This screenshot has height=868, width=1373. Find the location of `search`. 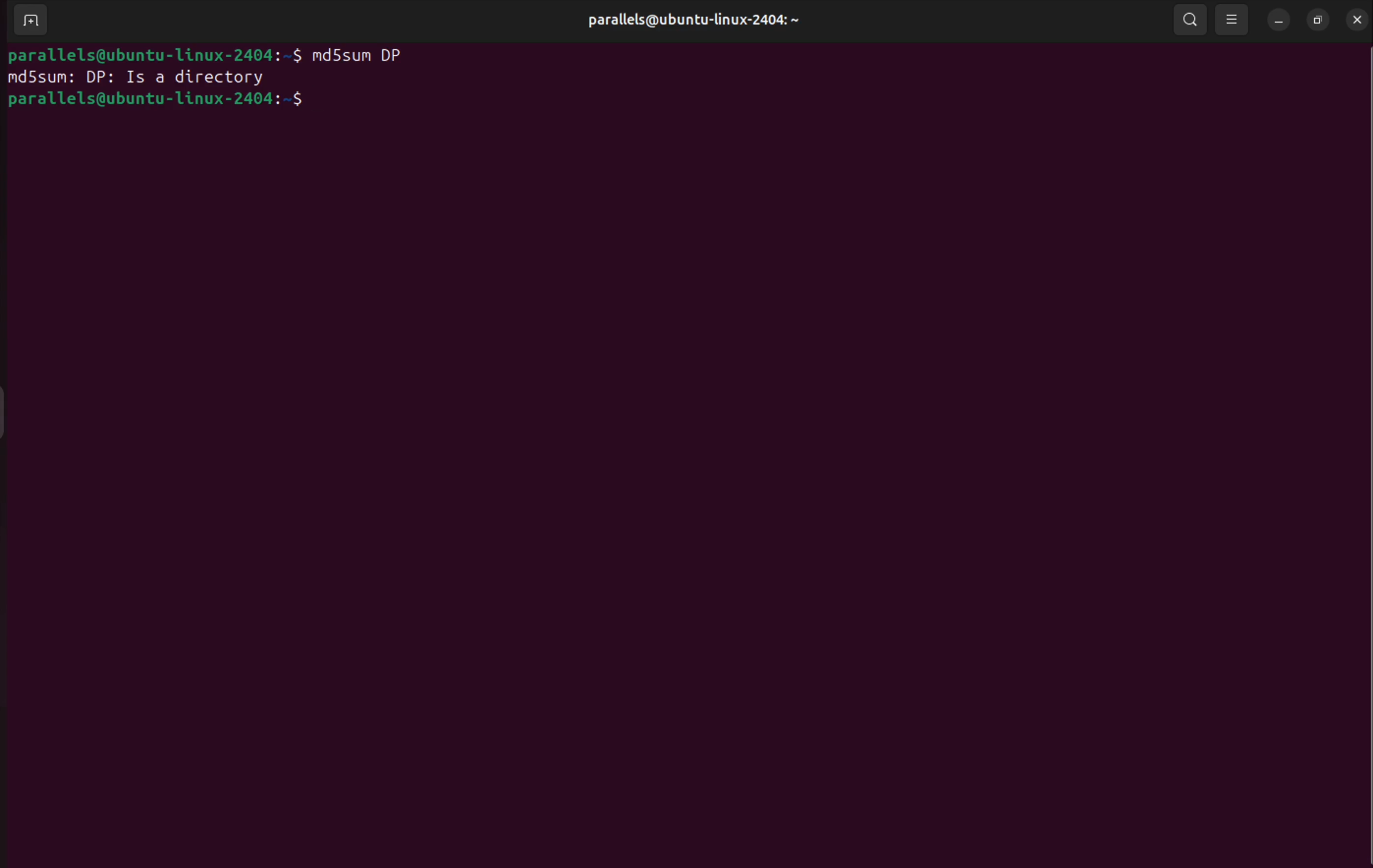

search is located at coordinates (1189, 22).